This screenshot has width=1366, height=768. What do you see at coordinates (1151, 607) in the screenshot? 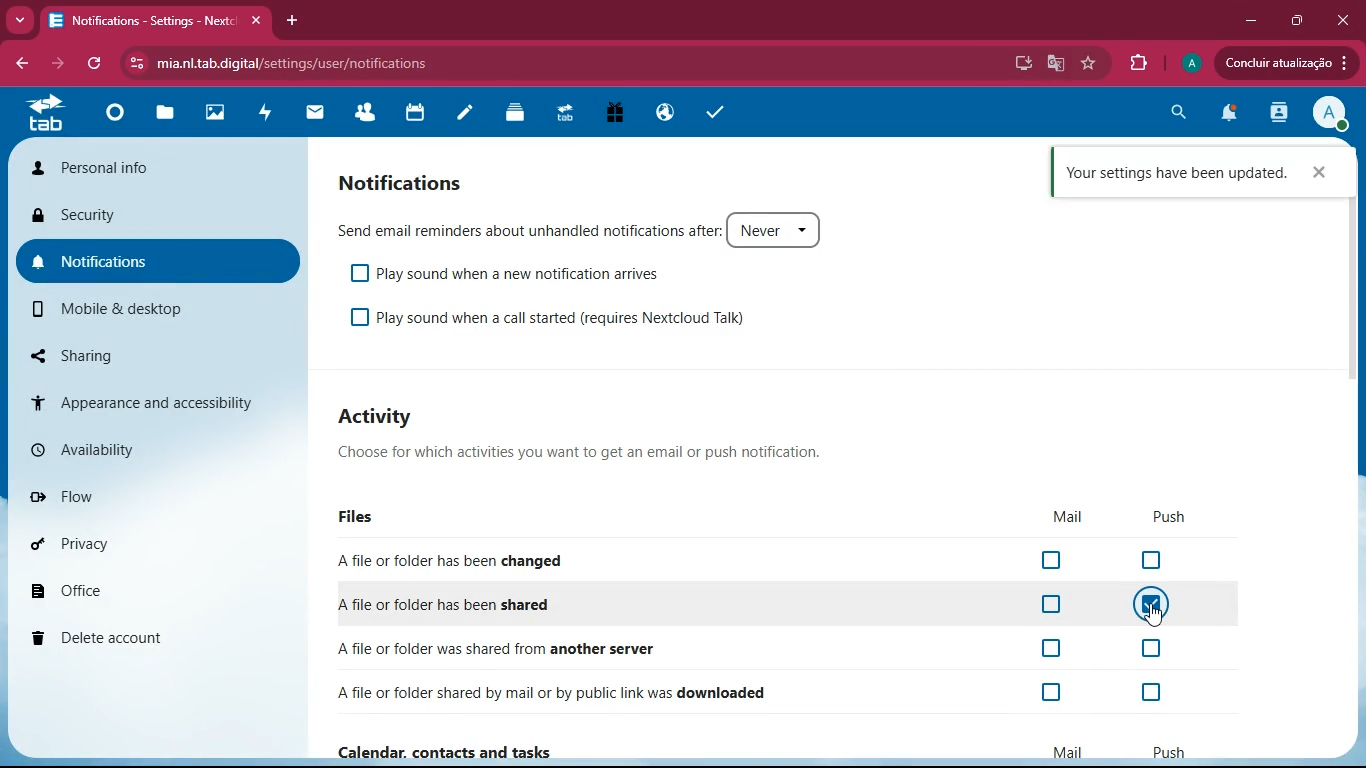
I see `on` at bounding box center [1151, 607].